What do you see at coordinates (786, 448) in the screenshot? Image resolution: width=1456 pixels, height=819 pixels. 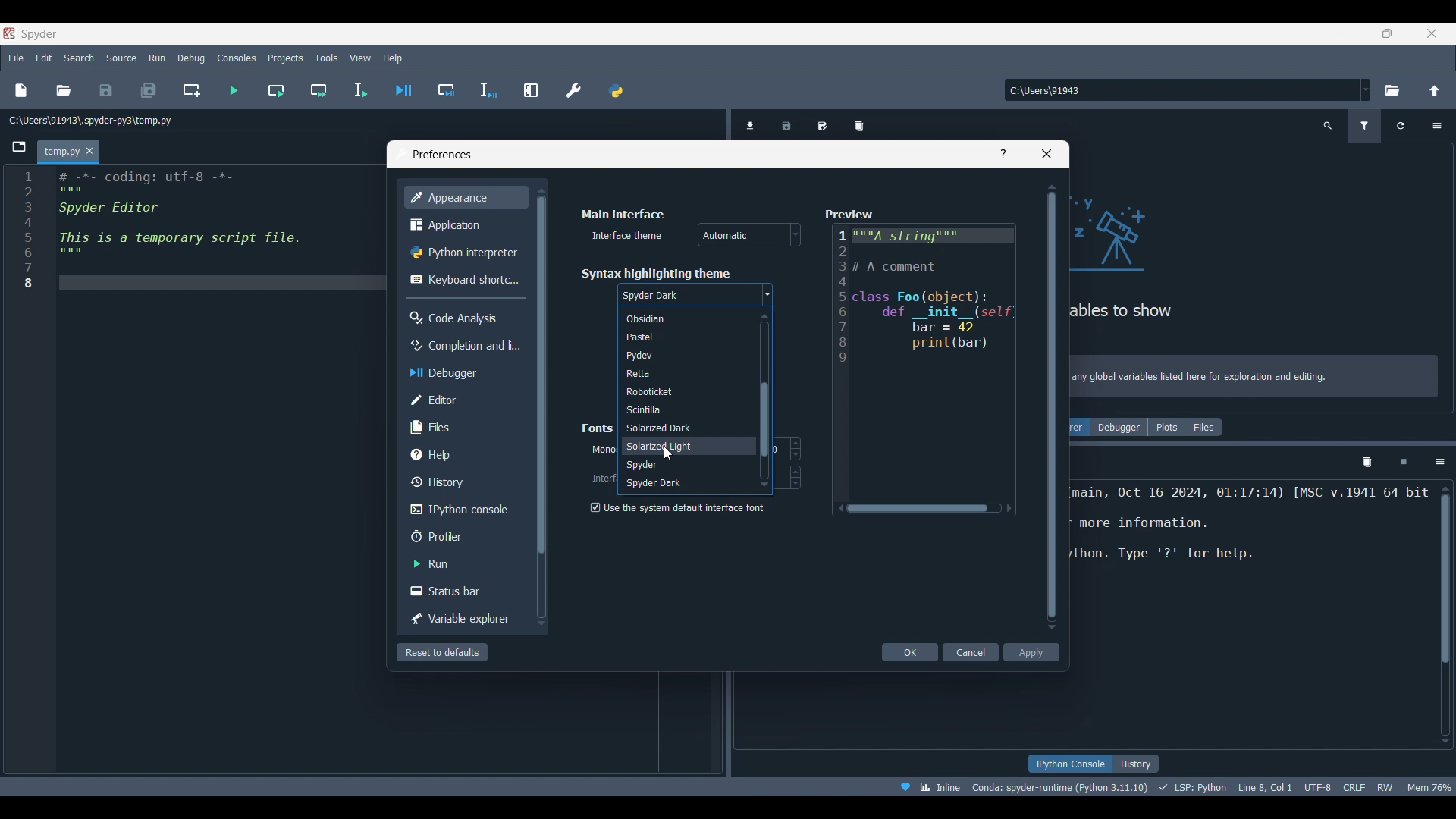 I see `font size` at bounding box center [786, 448].